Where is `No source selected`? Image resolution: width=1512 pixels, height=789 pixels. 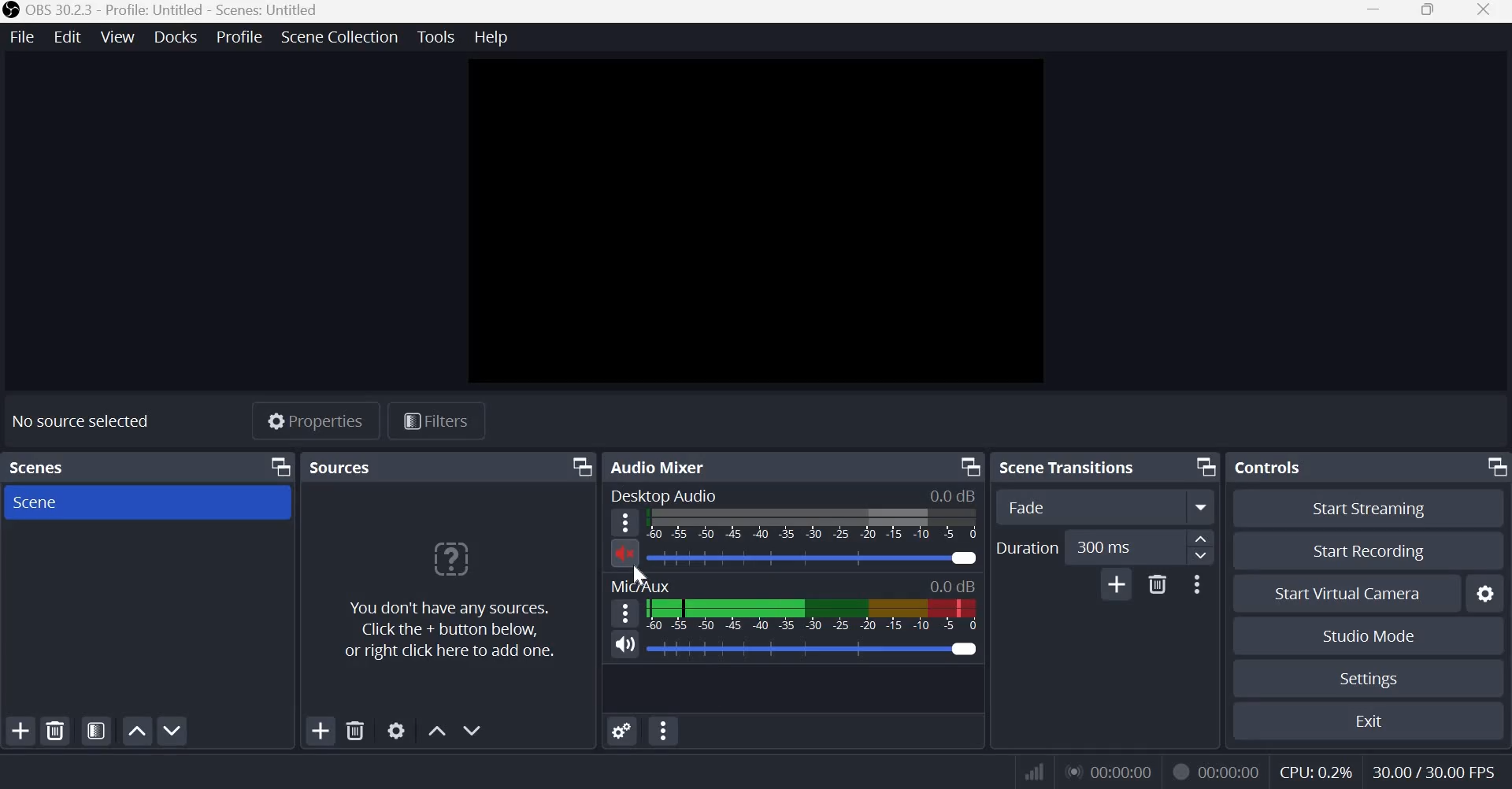
No source selected is located at coordinates (82, 419).